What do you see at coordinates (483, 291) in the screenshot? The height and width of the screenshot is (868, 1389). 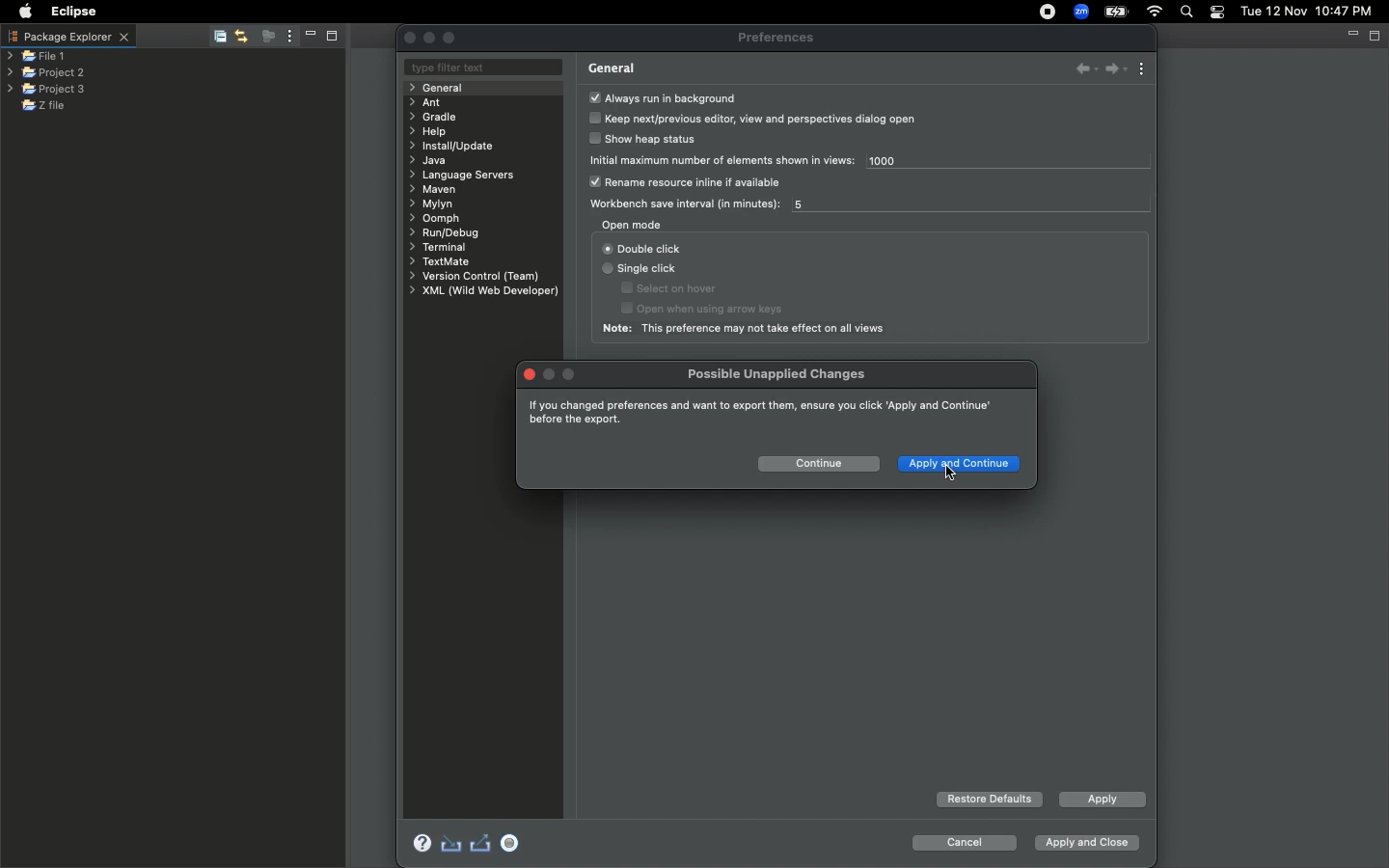 I see `XML` at bounding box center [483, 291].